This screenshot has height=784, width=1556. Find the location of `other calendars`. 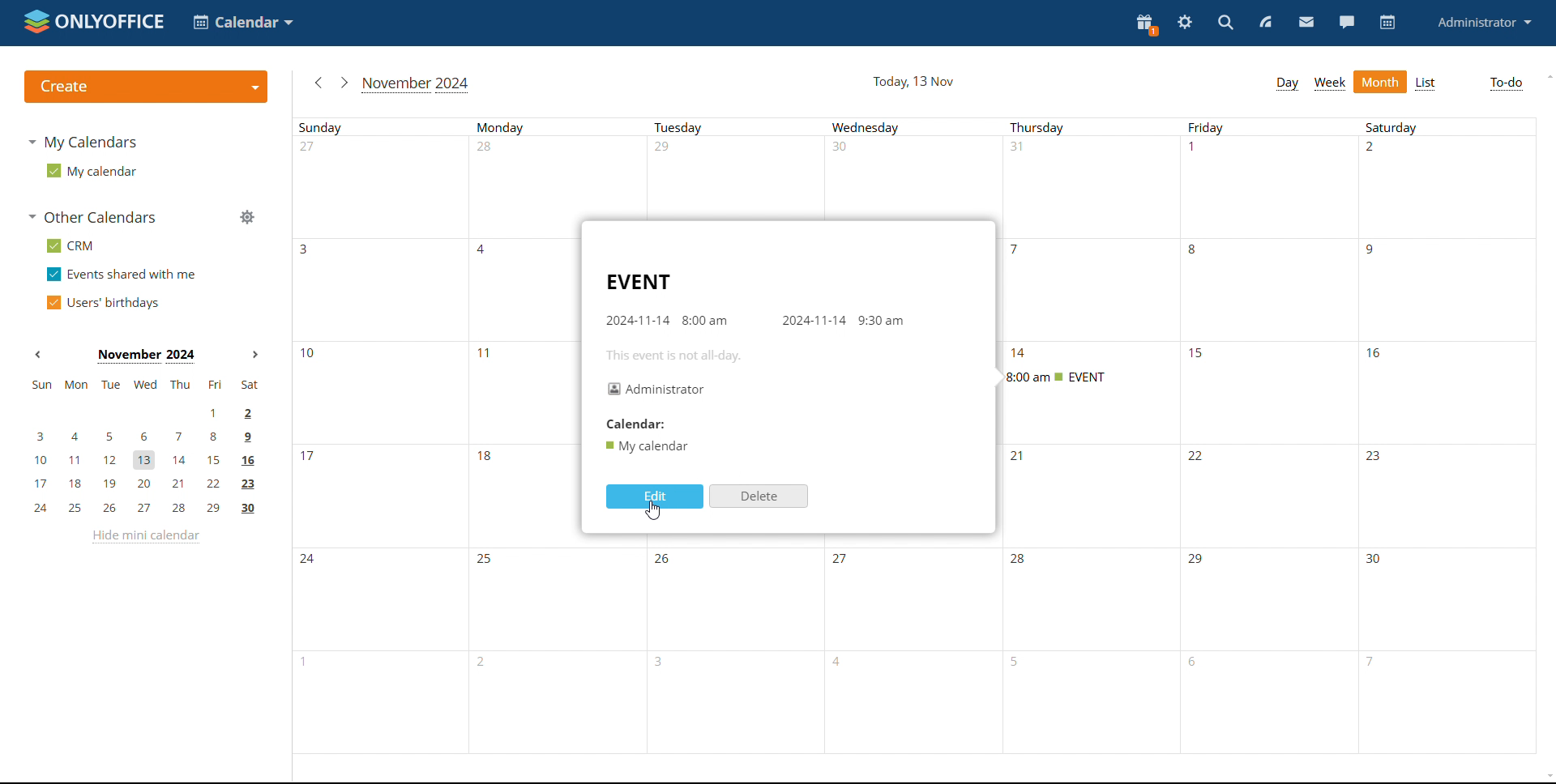

other calendars is located at coordinates (94, 217).